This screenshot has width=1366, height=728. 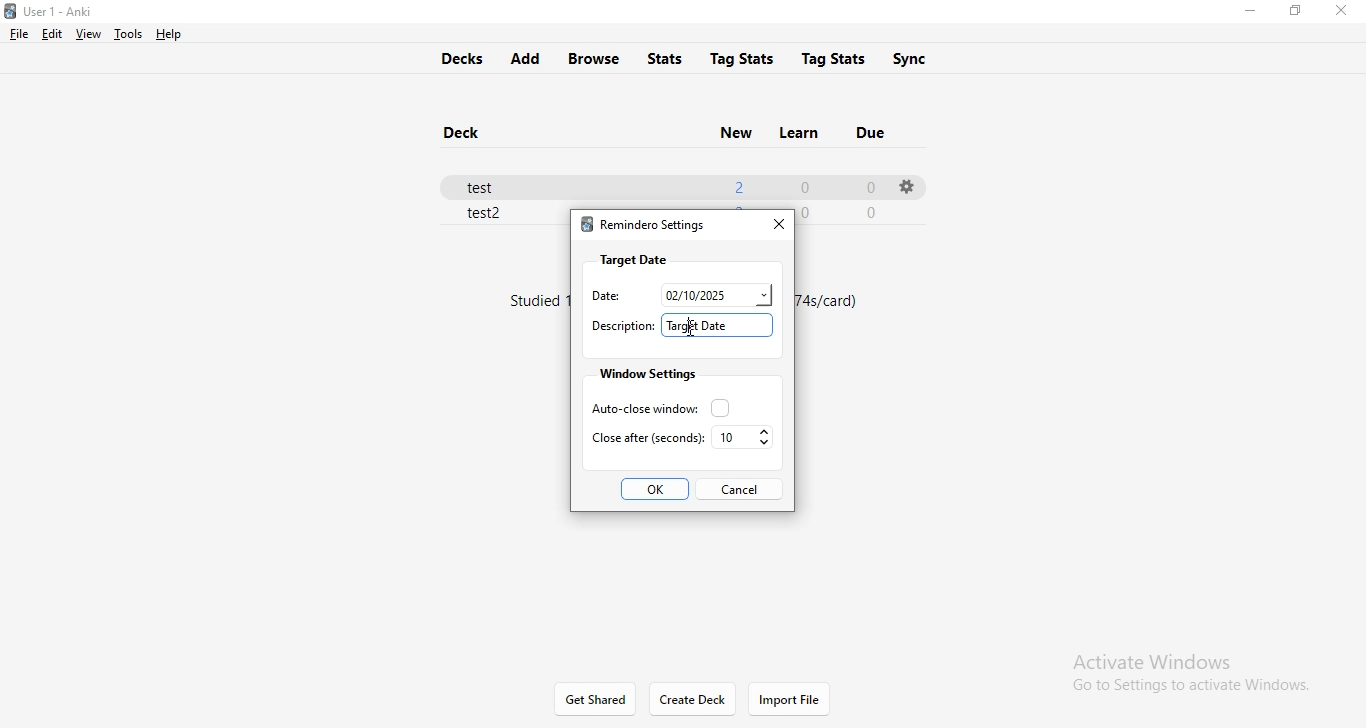 I want to click on decks, so click(x=457, y=56).